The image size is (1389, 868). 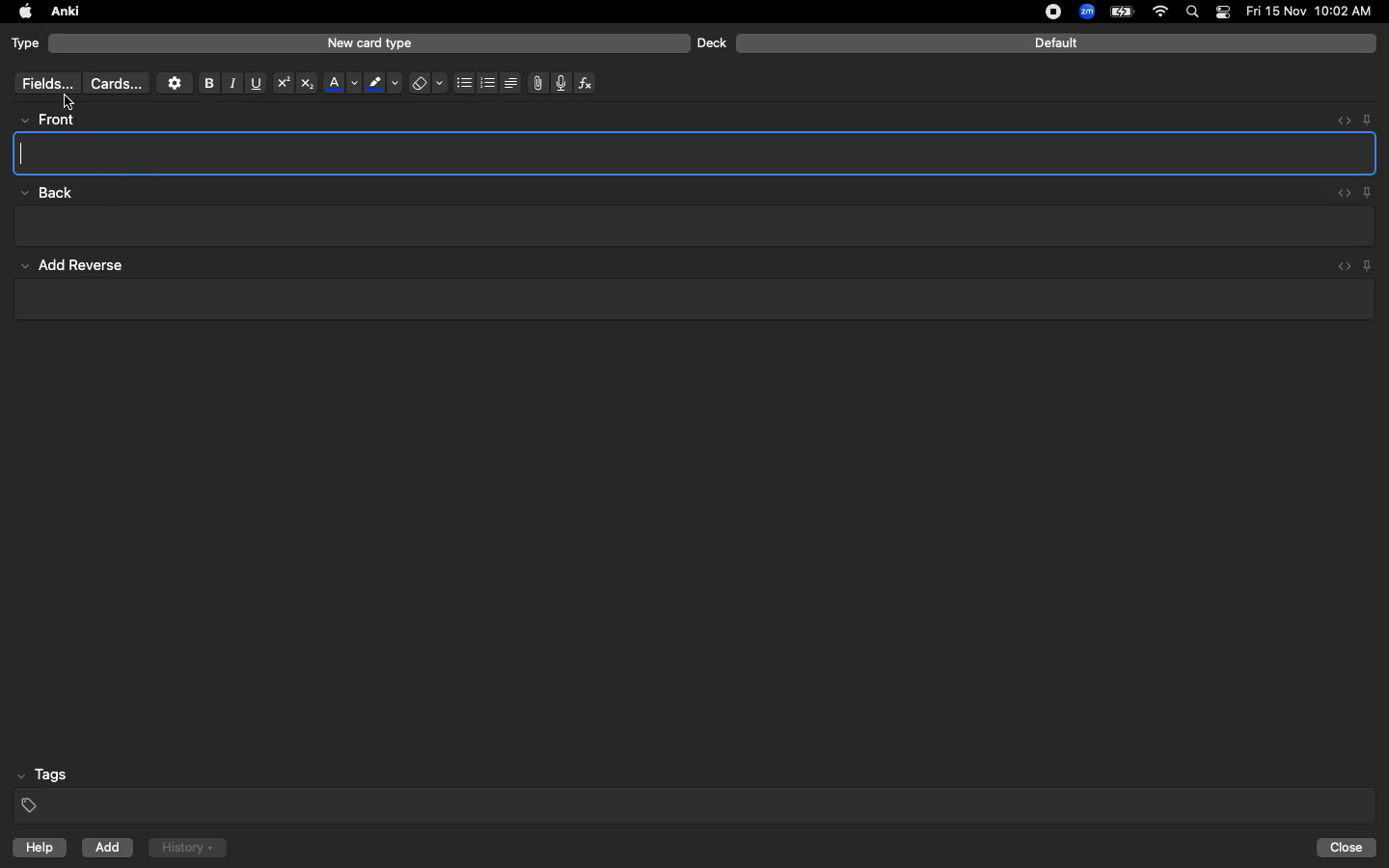 I want to click on Internet, so click(x=1162, y=13).